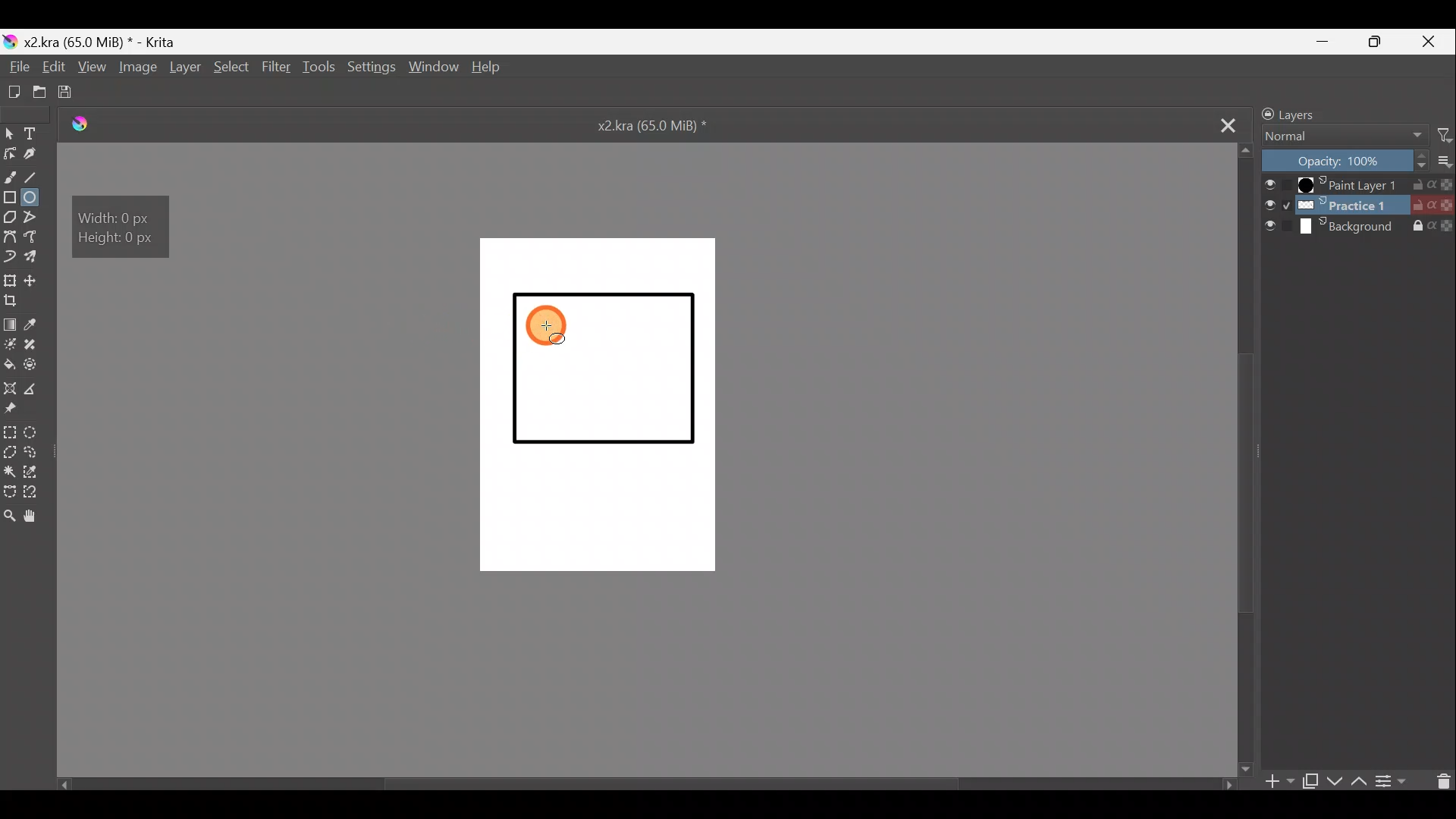  What do you see at coordinates (9, 521) in the screenshot?
I see `Zoom tool` at bounding box center [9, 521].